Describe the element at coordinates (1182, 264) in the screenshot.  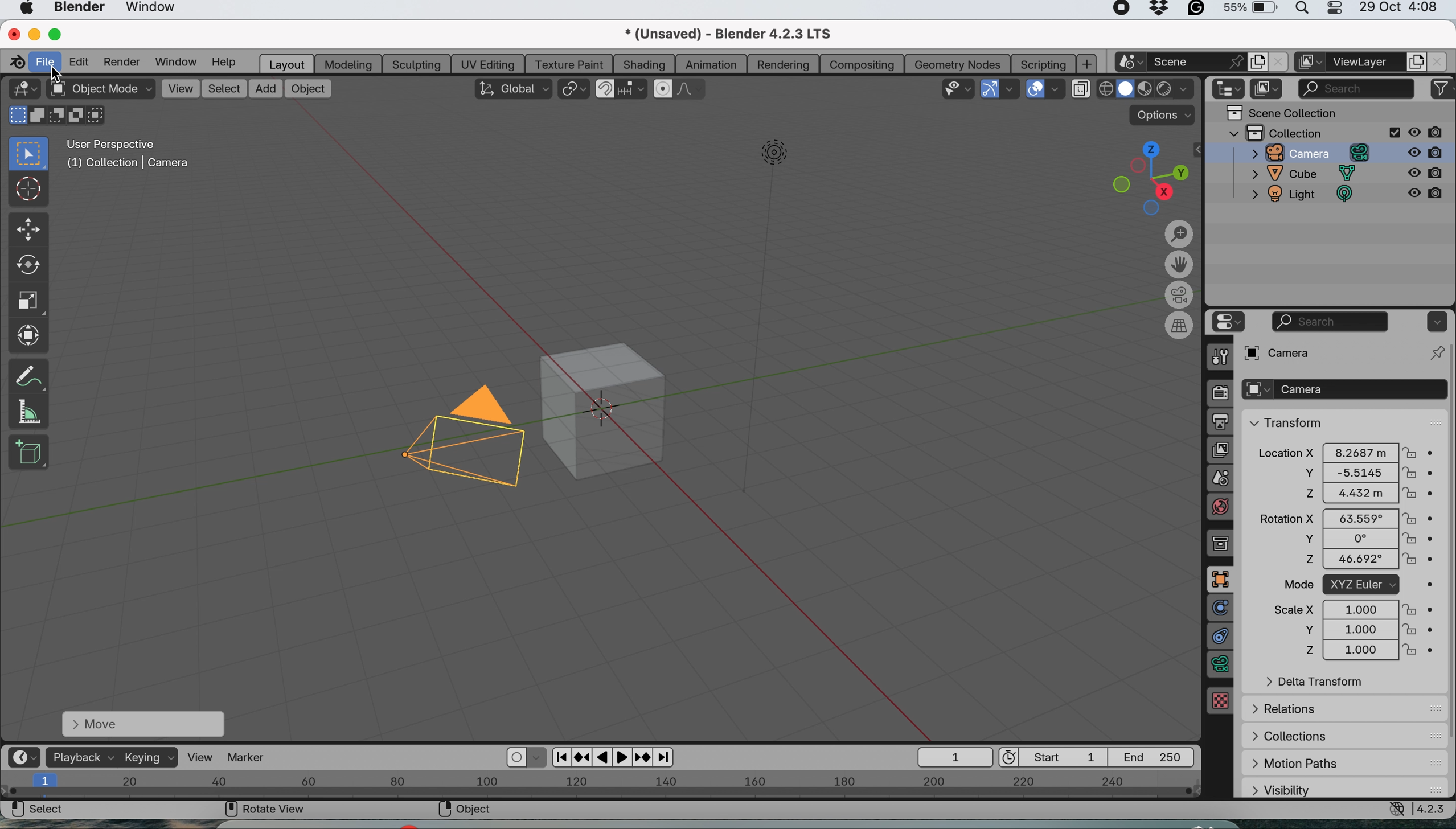
I see `move the view` at that location.